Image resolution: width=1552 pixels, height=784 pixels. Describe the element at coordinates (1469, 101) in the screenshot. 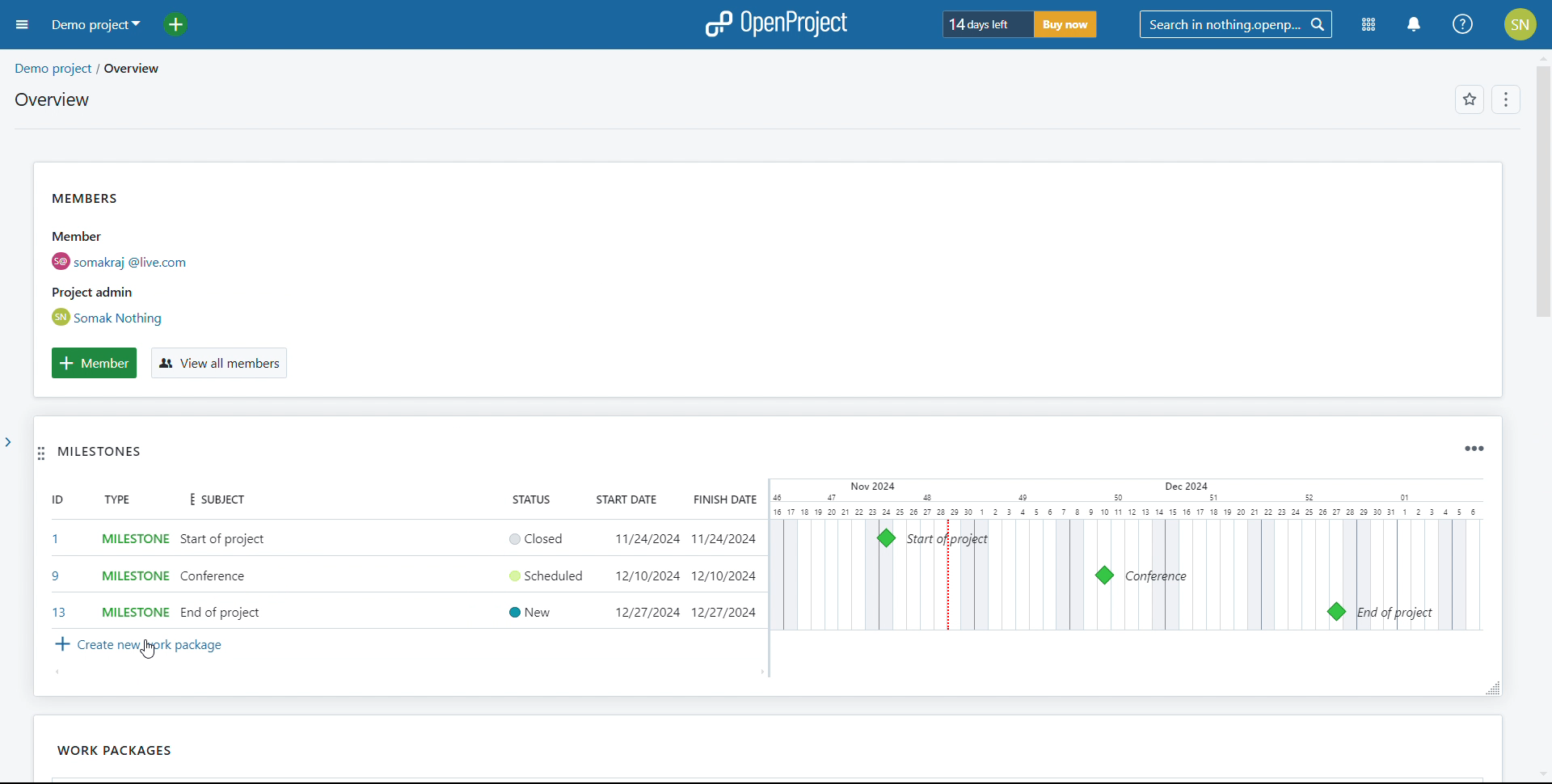

I see `favorites` at that location.